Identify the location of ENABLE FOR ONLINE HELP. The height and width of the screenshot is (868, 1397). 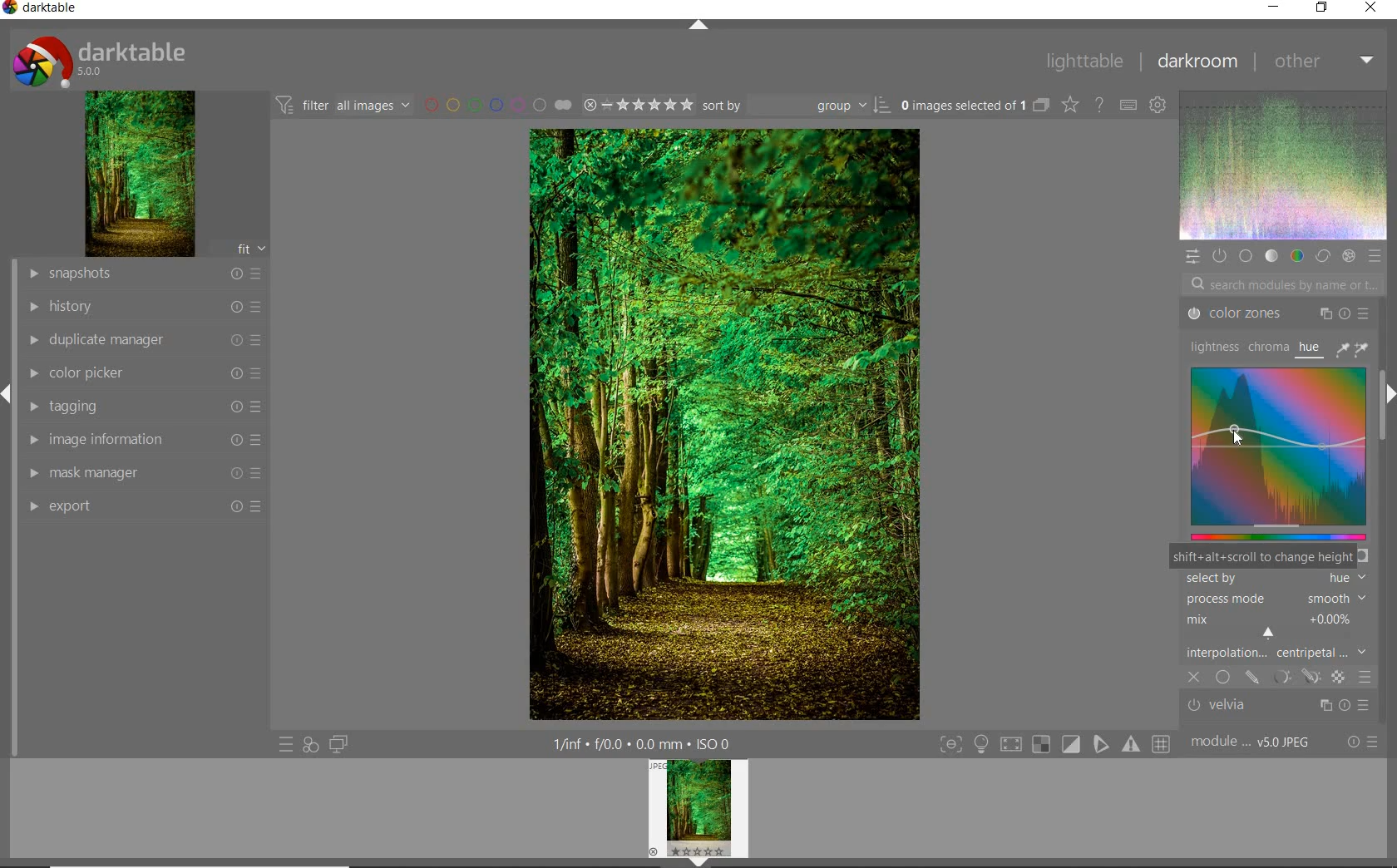
(1098, 105).